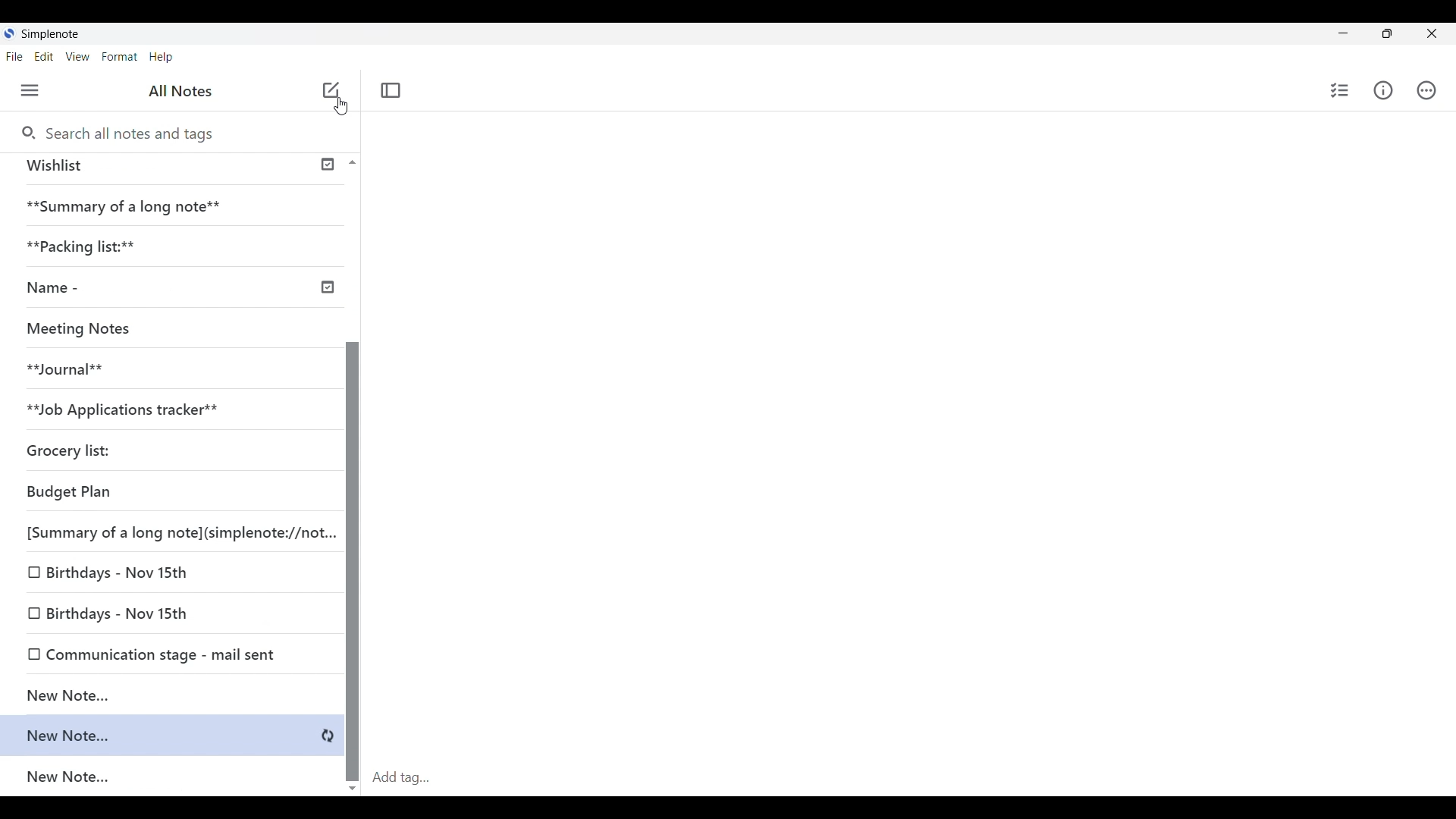  I want to click on scroll down button, so click(353, 783).